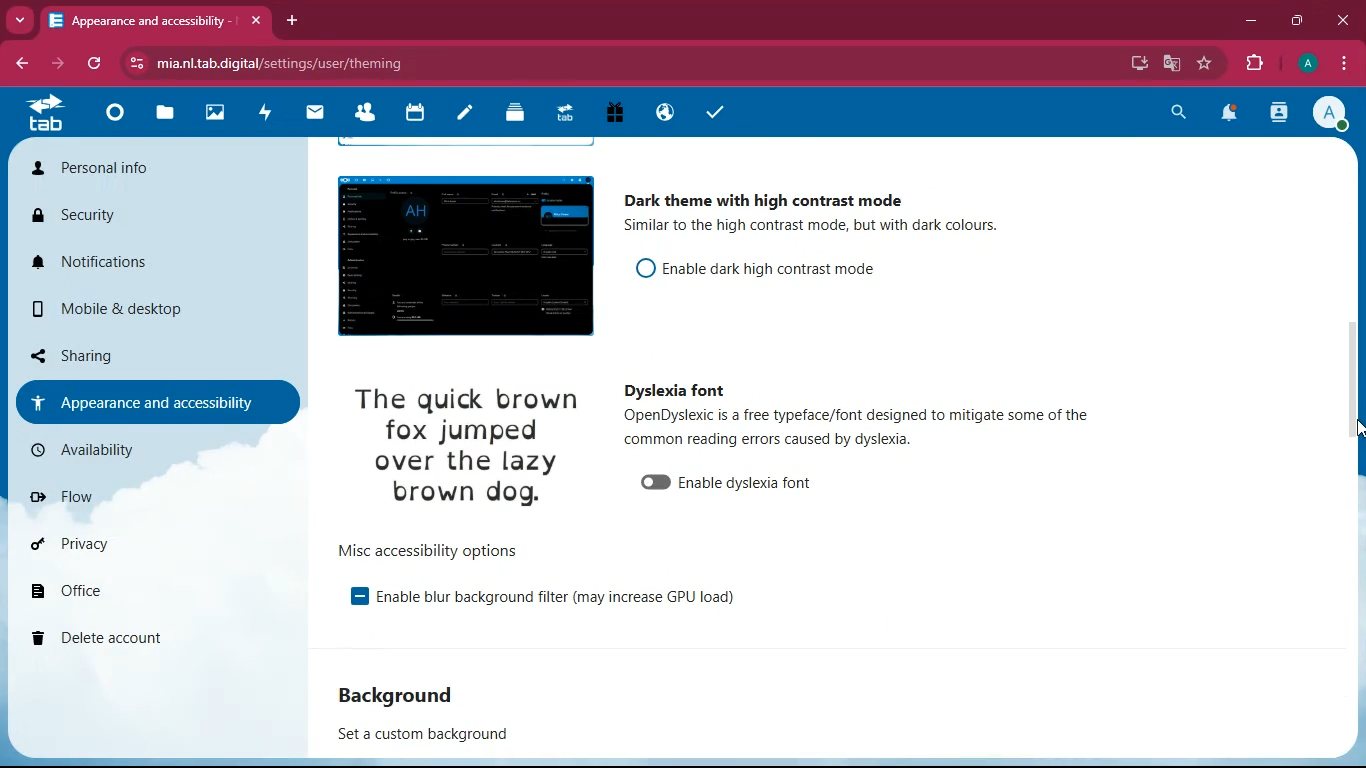 Image resolution: width=1366 pixels, height=768 pixels. What do you see at coordinates (563, 112) in the screenshot?
I see `tab` at bounding box center [563, 112].